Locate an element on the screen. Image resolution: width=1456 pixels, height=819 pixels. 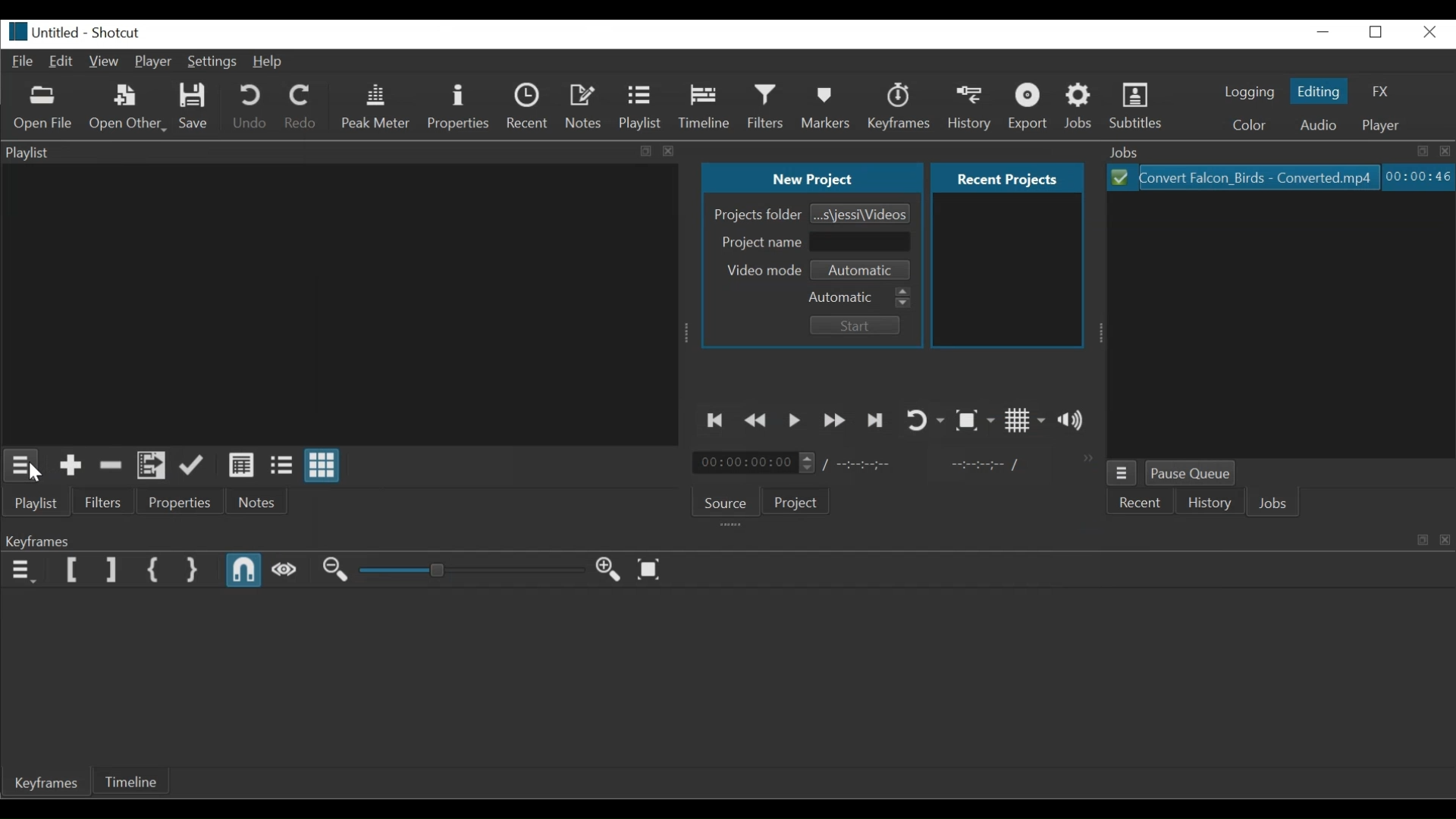
close is located at coordinates (1432, 33).